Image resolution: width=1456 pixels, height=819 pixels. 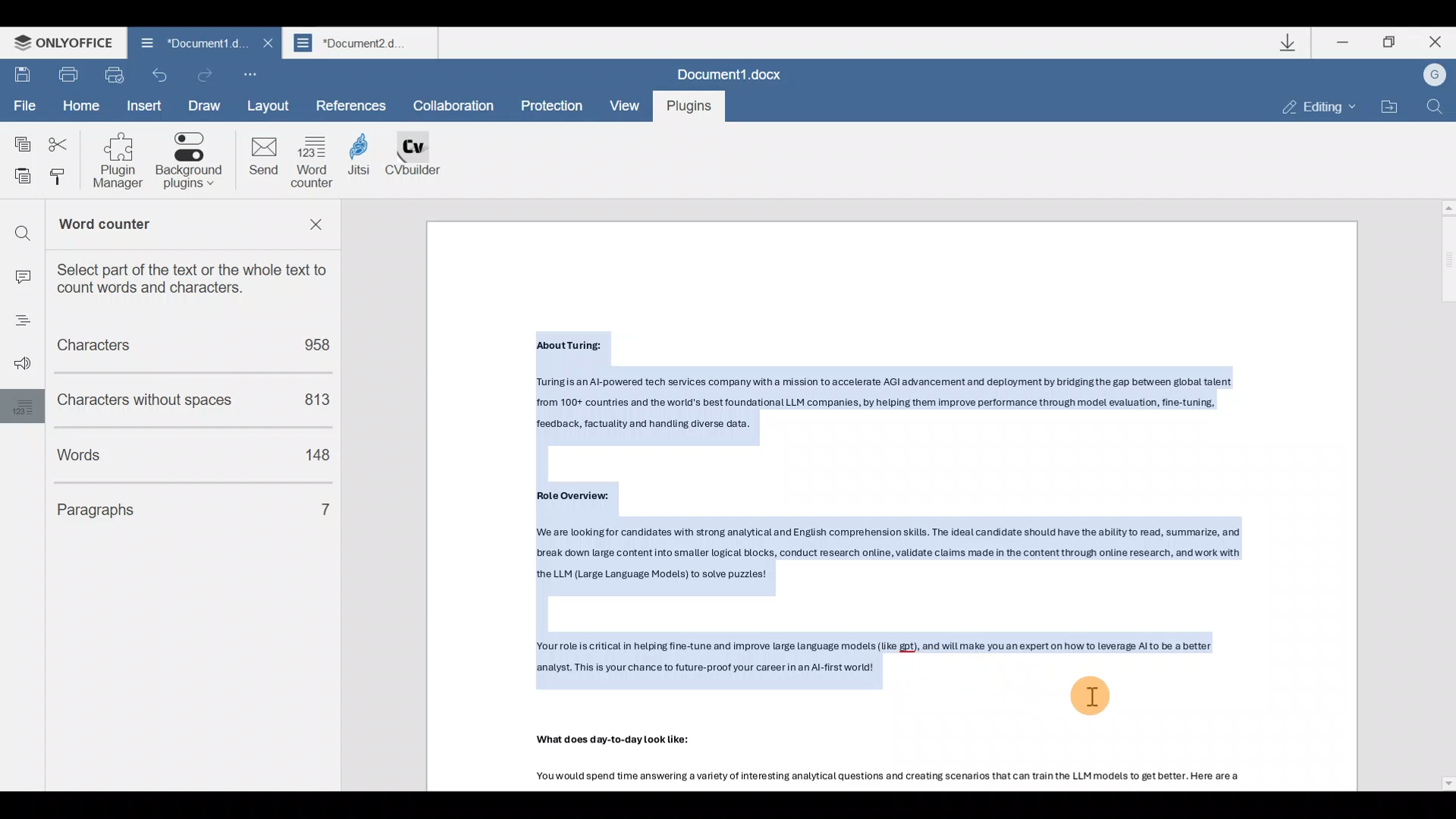 What do you see at coordinates (64, 180) in the screenshot?
I see `Copy style` at bounding box center [64, 180].